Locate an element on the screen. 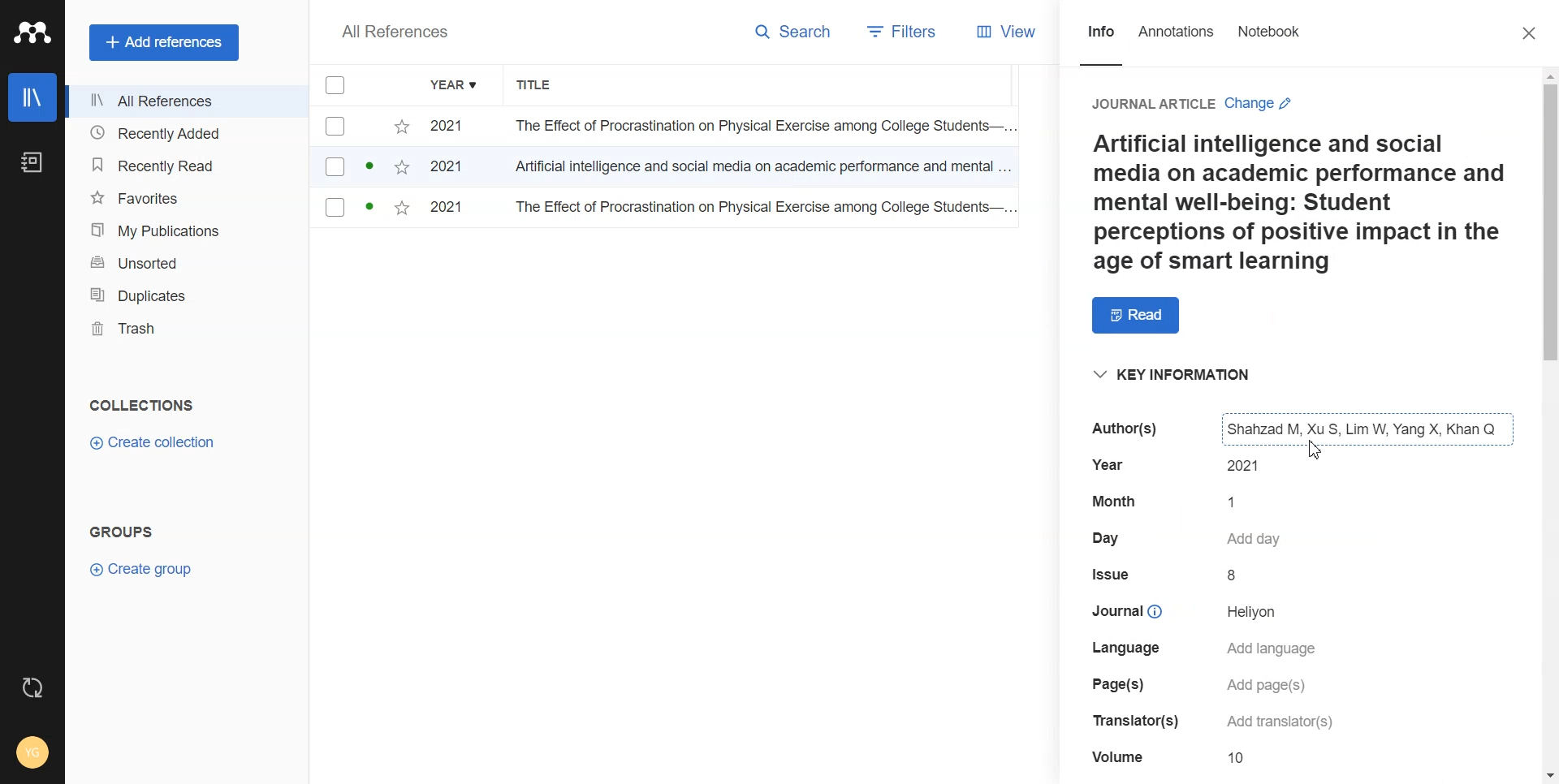  Recently Read is located at coordinates (184, 165).